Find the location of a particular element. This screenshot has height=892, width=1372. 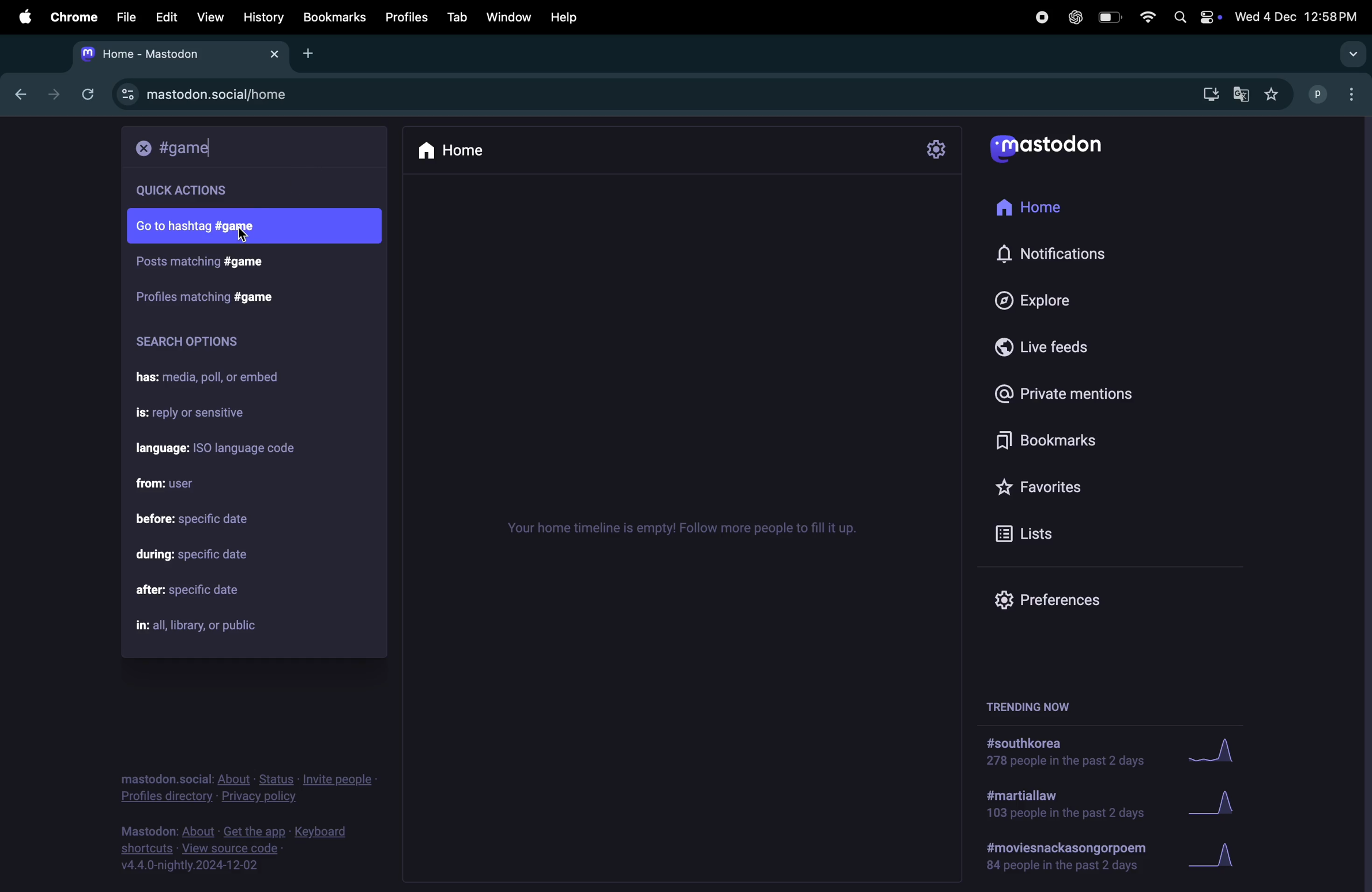

From: user is located at coordinates (172, 482).